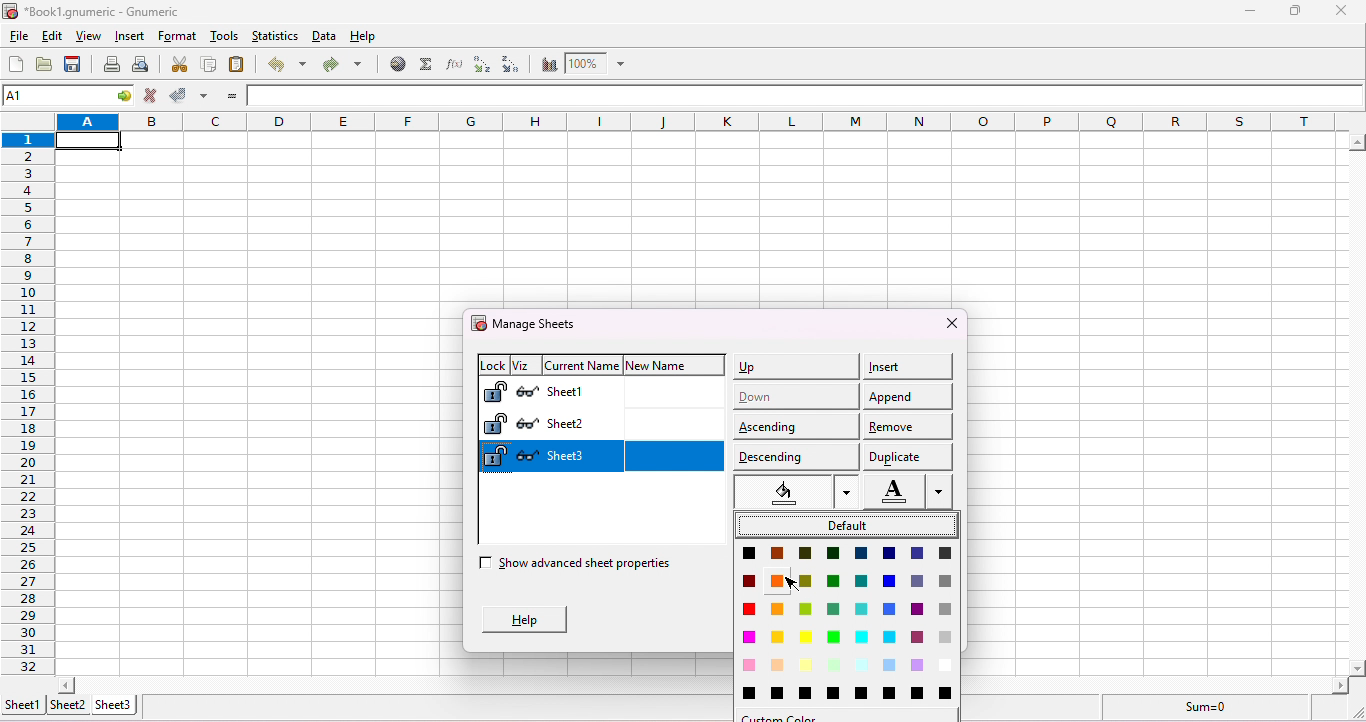 The width and height of the screenshot is (1366, 722). I want to click on scroll bar, so click(400, 684).